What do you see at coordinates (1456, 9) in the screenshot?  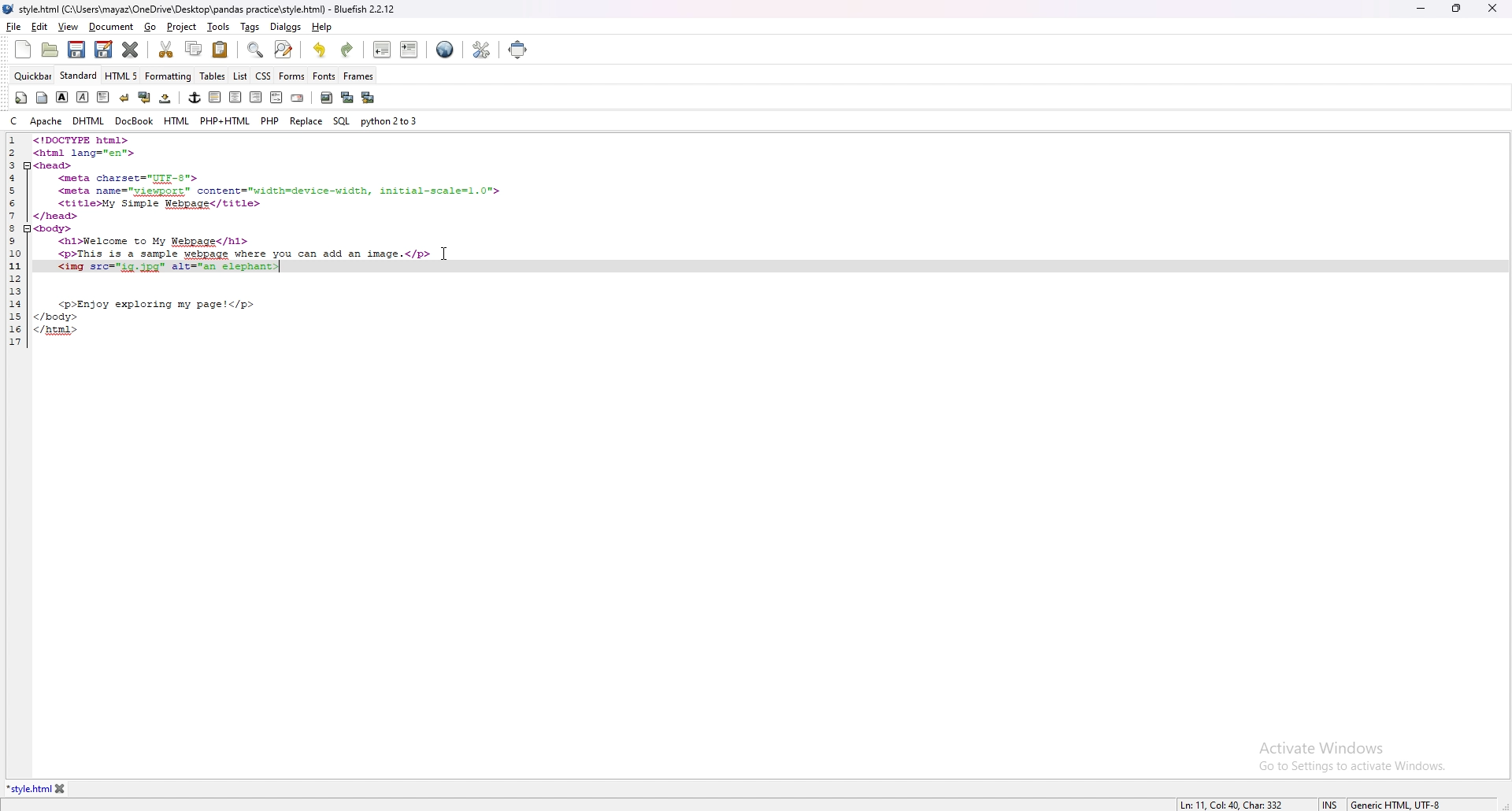 I see `resize` at bounding box center [1456, 9].